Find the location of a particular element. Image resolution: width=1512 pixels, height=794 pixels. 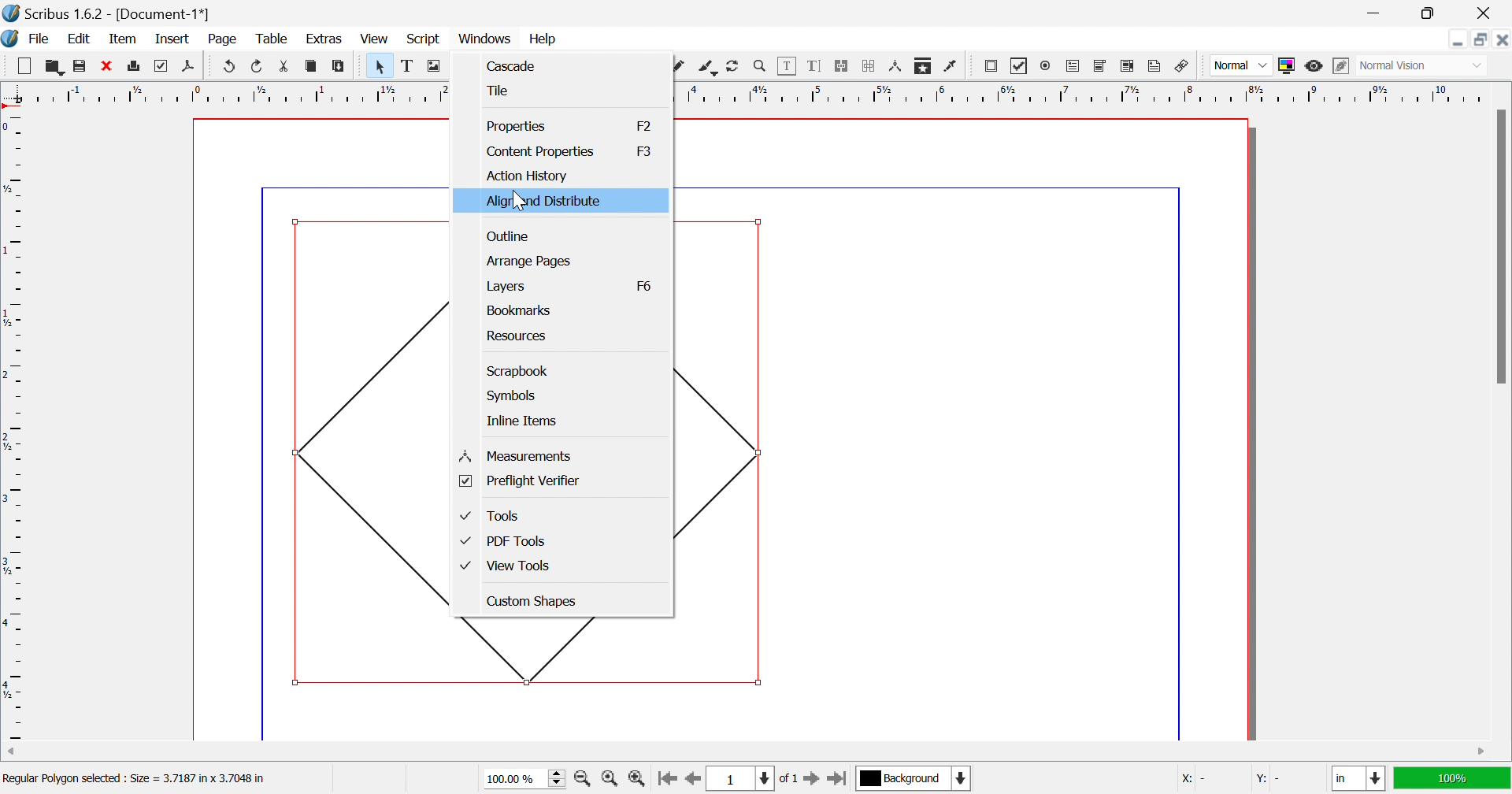

Scribus icon is located at coordinates (9, 39).